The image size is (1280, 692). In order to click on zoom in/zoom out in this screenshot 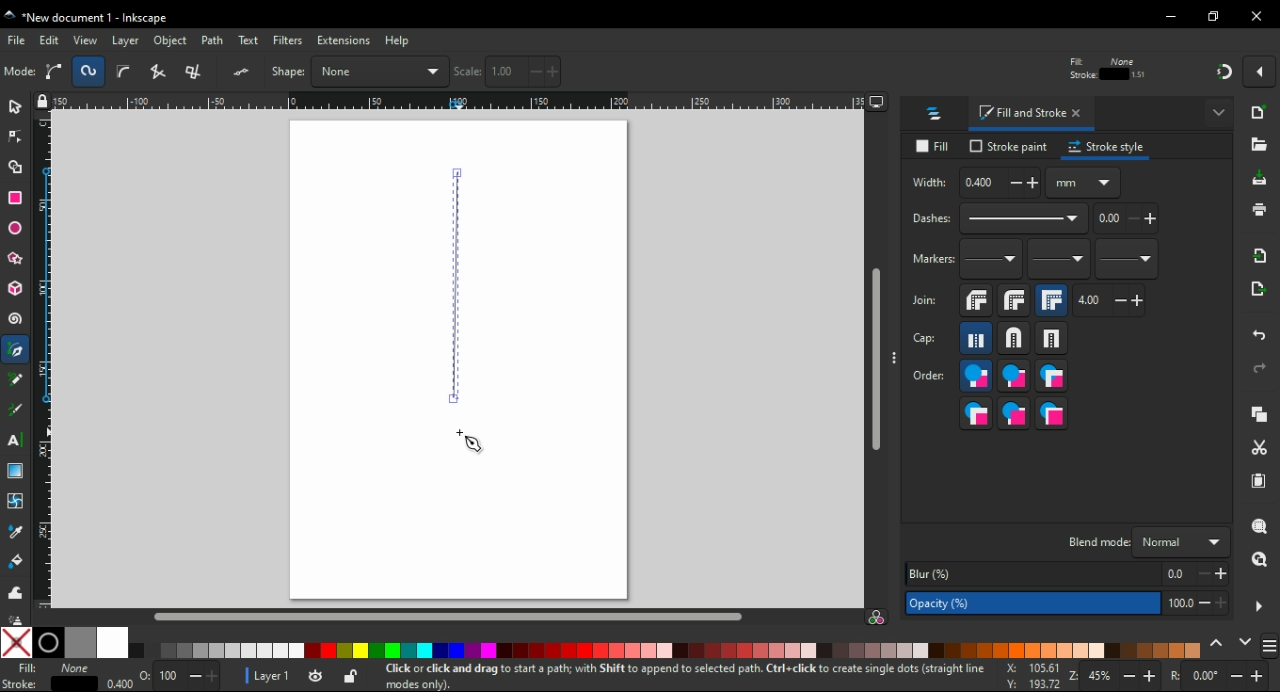, I will do `click(1116, 678)`.